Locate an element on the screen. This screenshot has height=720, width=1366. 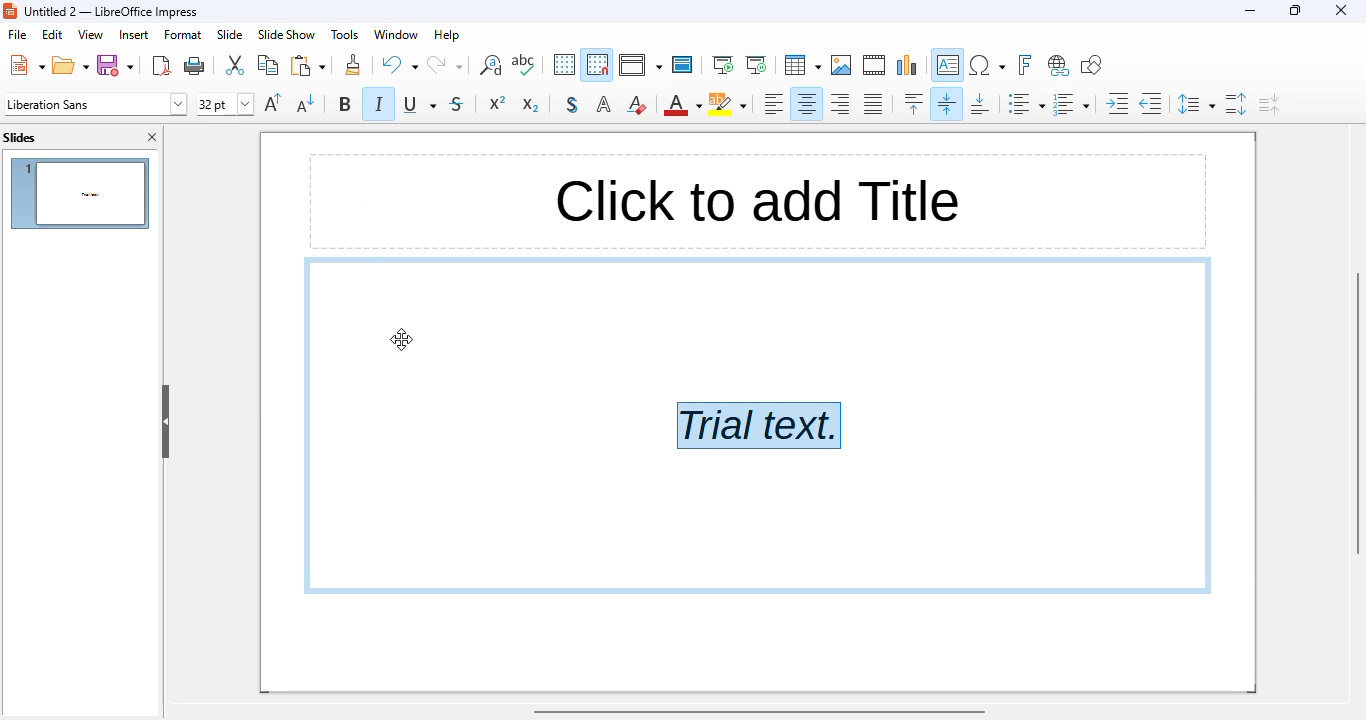
subscript is located at coordinates (530, 104).